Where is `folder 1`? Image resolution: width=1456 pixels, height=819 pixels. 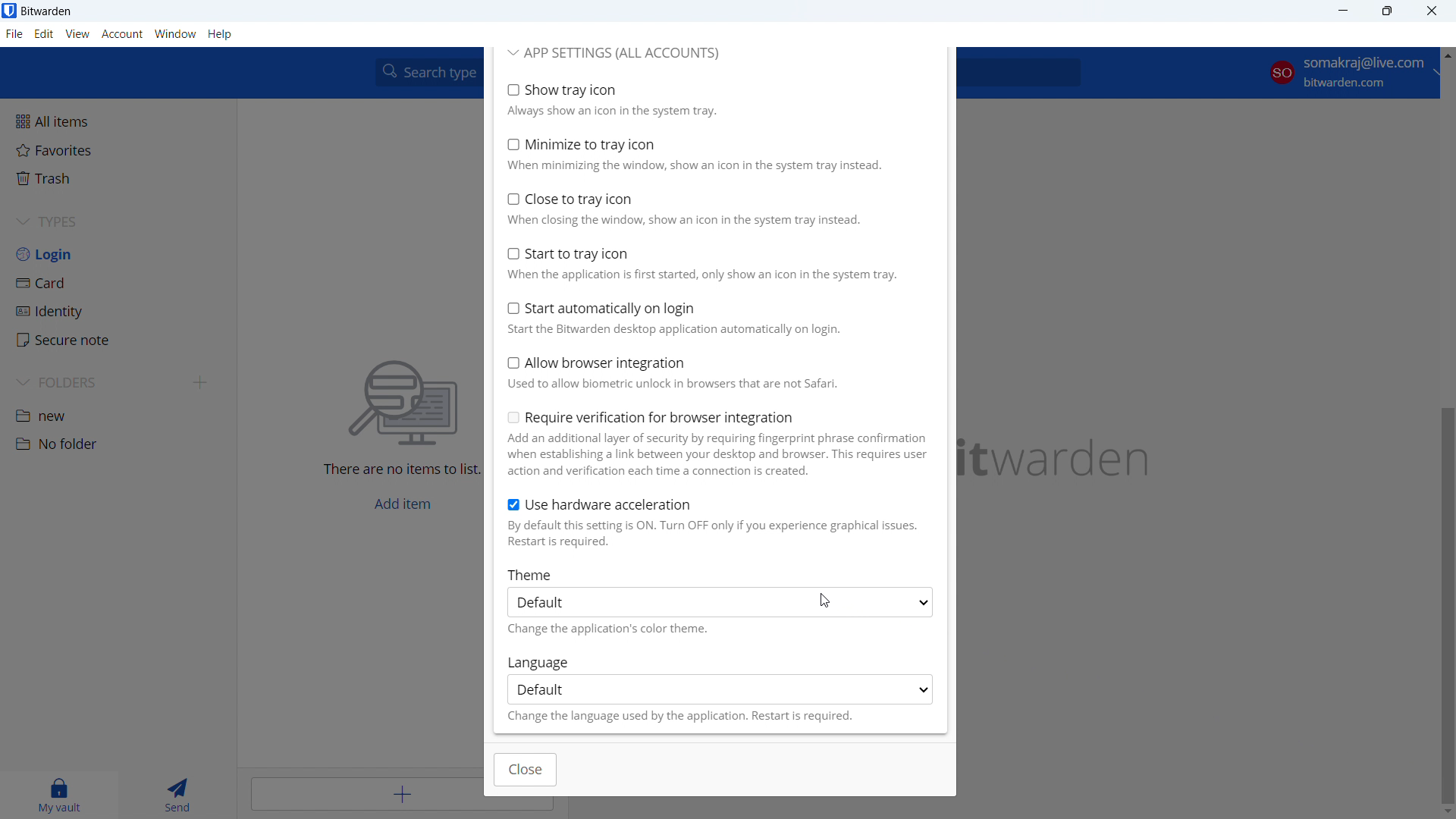
folder 1 is located at coordinates (118, 414).